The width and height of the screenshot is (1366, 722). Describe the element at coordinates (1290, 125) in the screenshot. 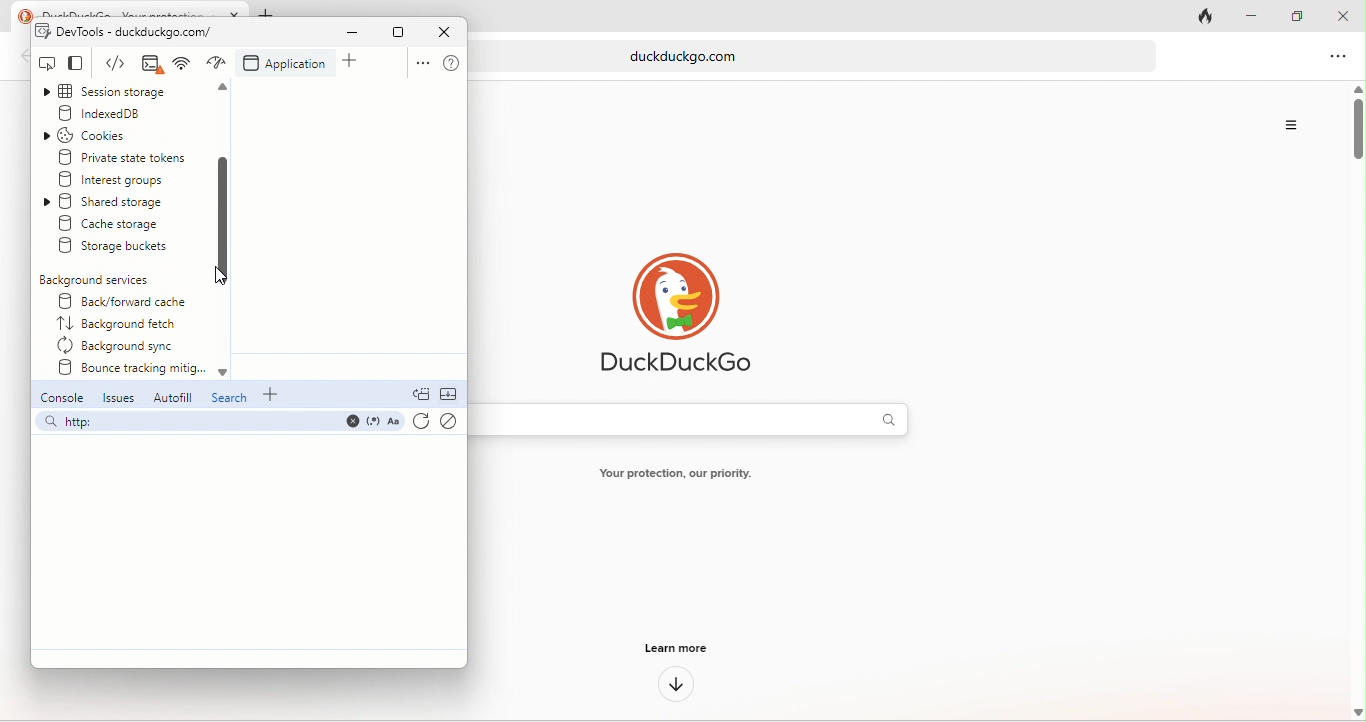

I see `Options` at that location.